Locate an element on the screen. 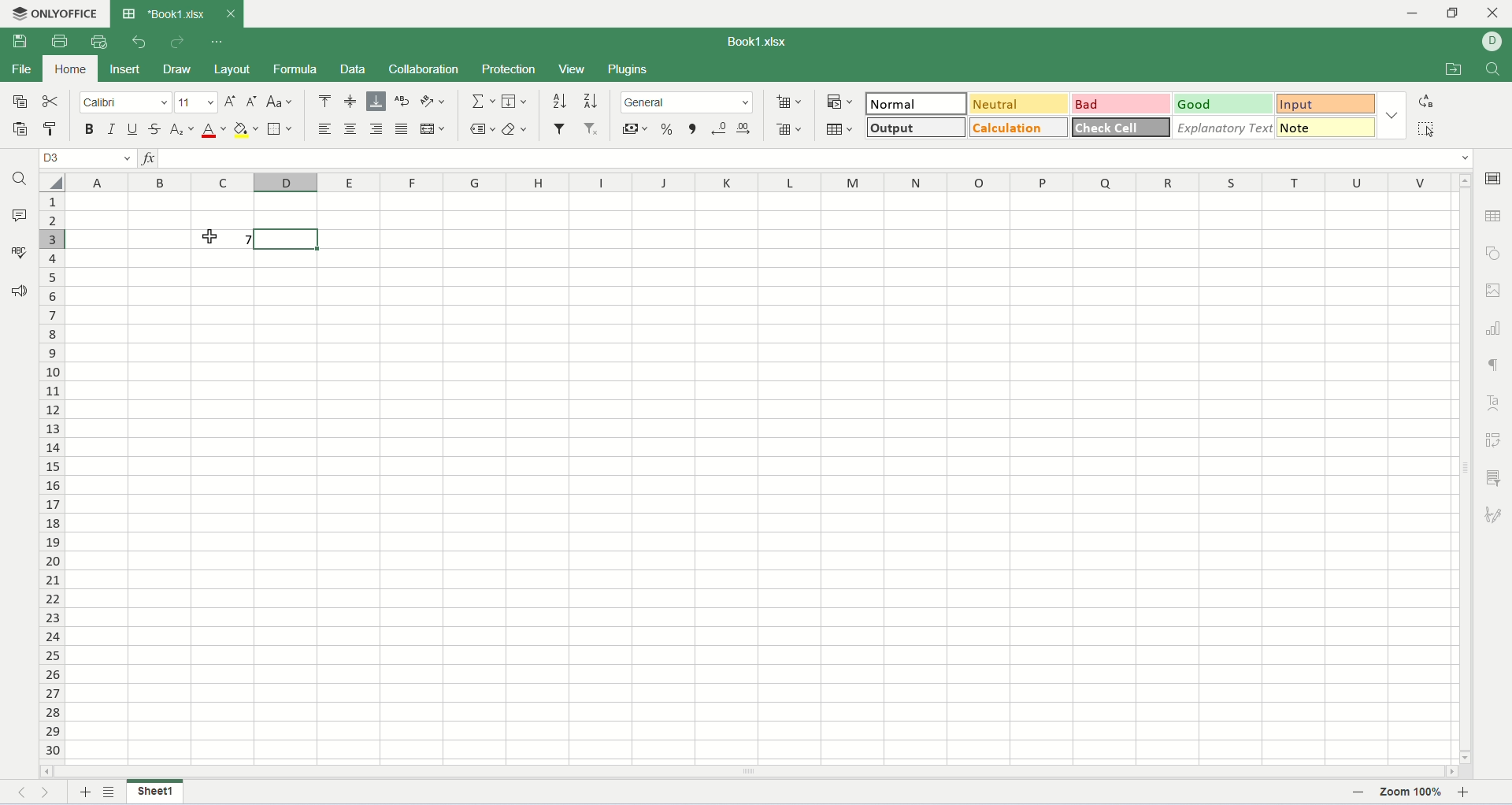  close is located at coordinates (231, 14).